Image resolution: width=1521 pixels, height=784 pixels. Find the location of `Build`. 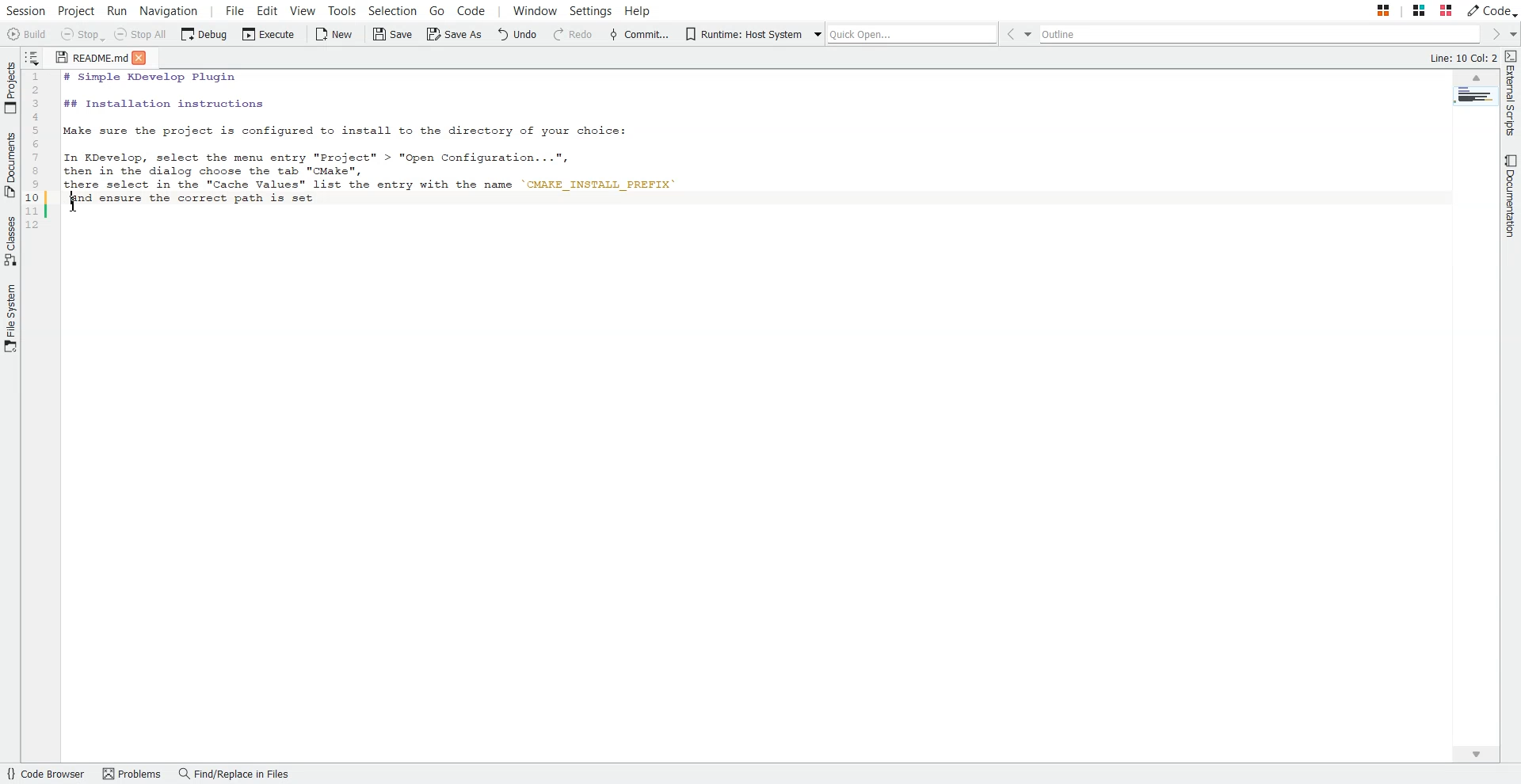

Build is located at coordinates (25, 34).